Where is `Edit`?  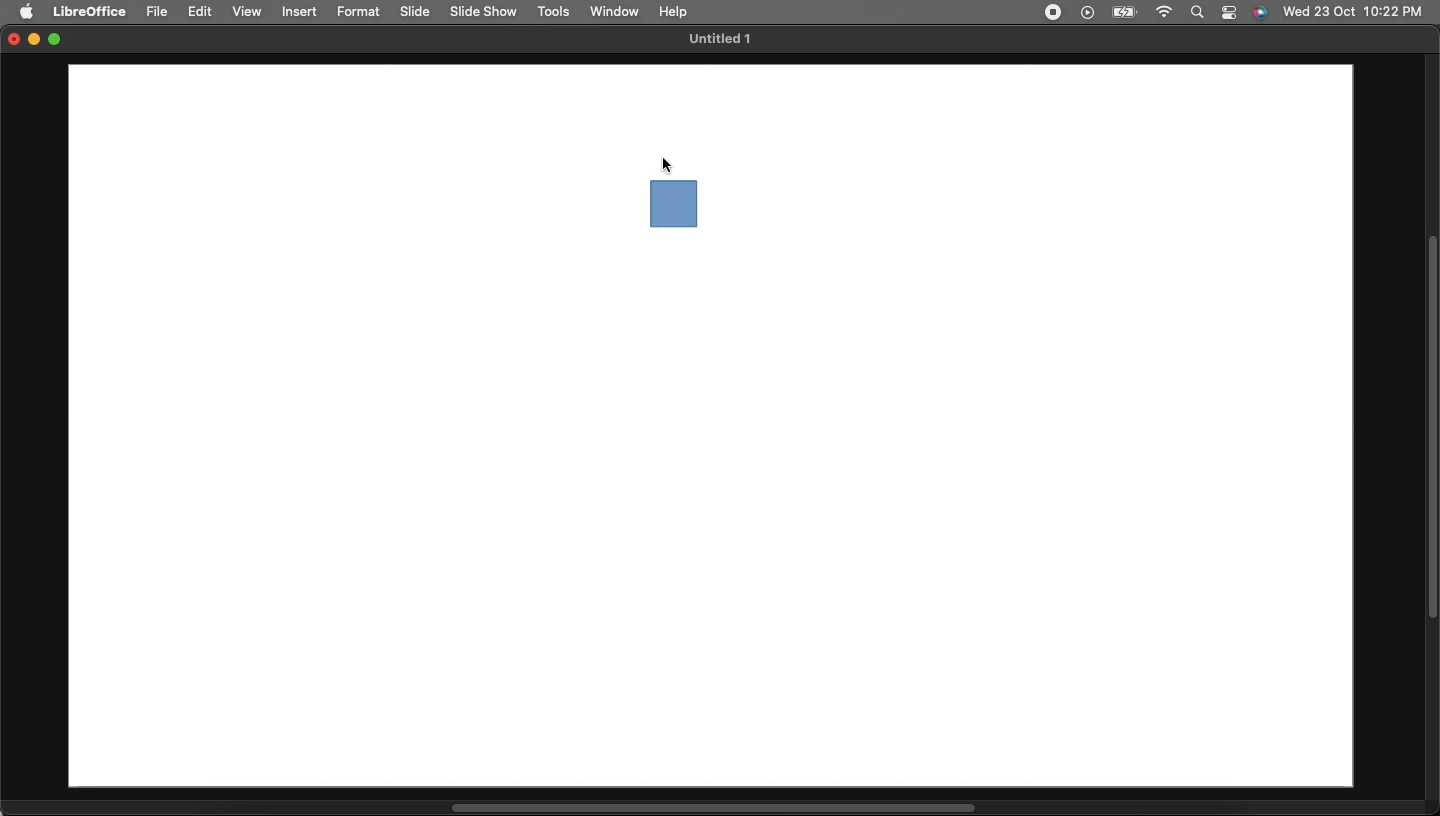 Edit is located at coordinates (202, 12).